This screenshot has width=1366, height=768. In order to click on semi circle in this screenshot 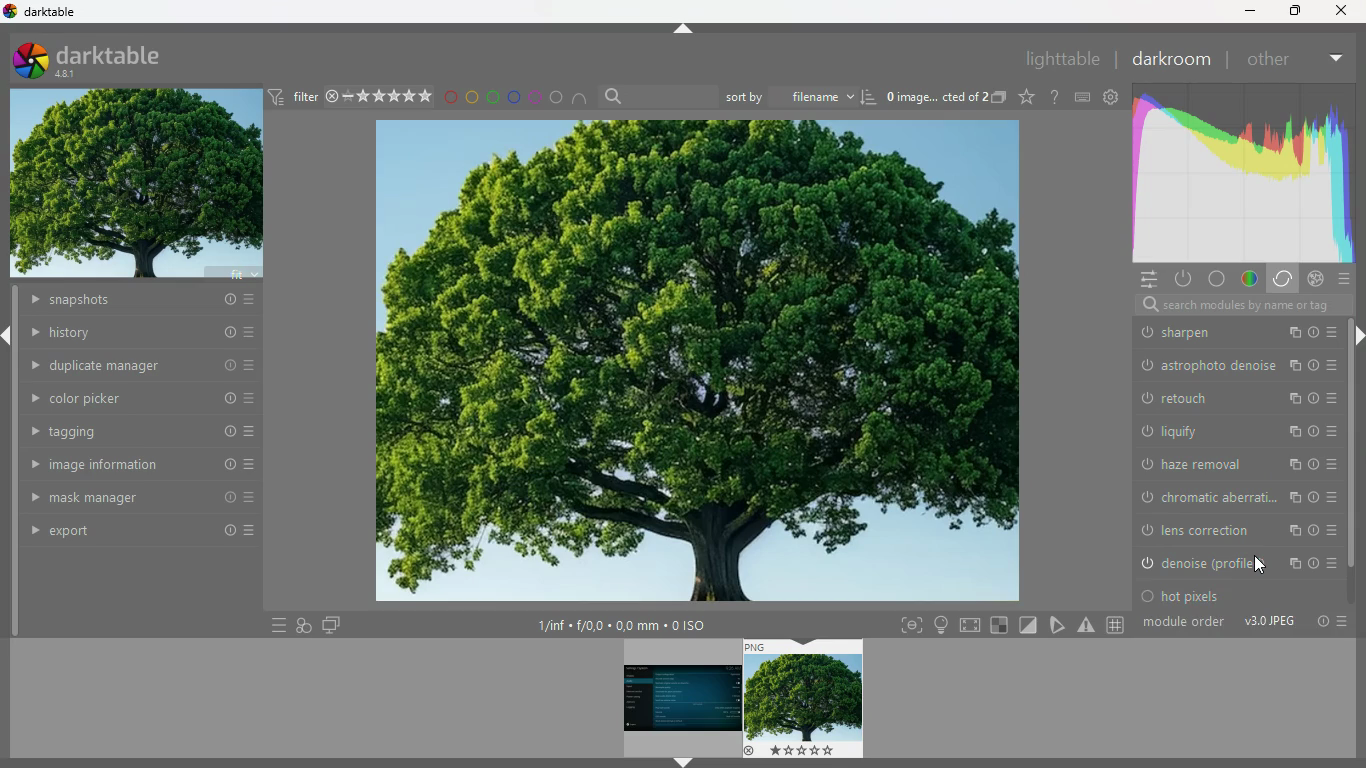, I will do `click(581, 97)`.